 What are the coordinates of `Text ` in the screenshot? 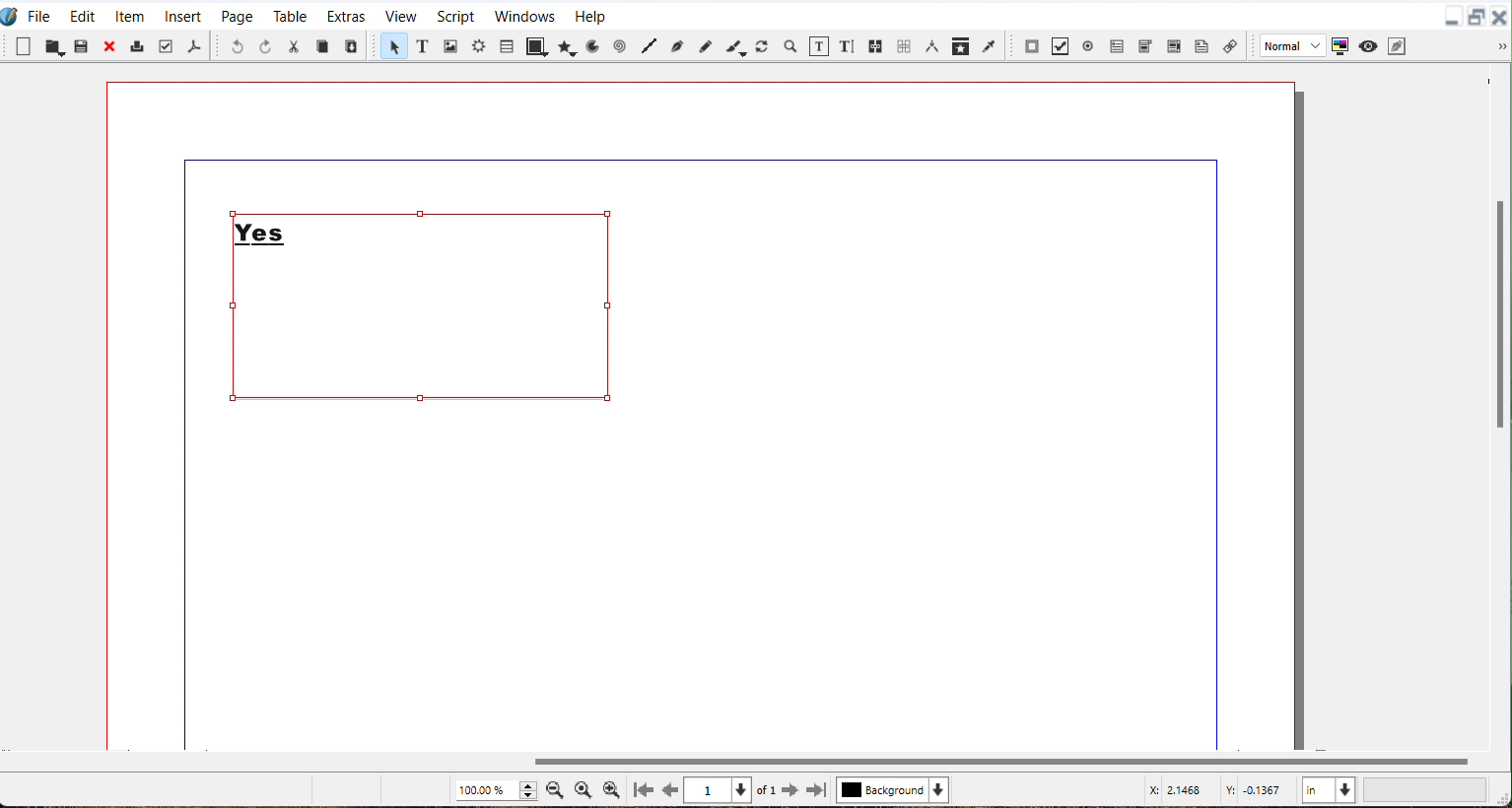 It's located at (263, 228).